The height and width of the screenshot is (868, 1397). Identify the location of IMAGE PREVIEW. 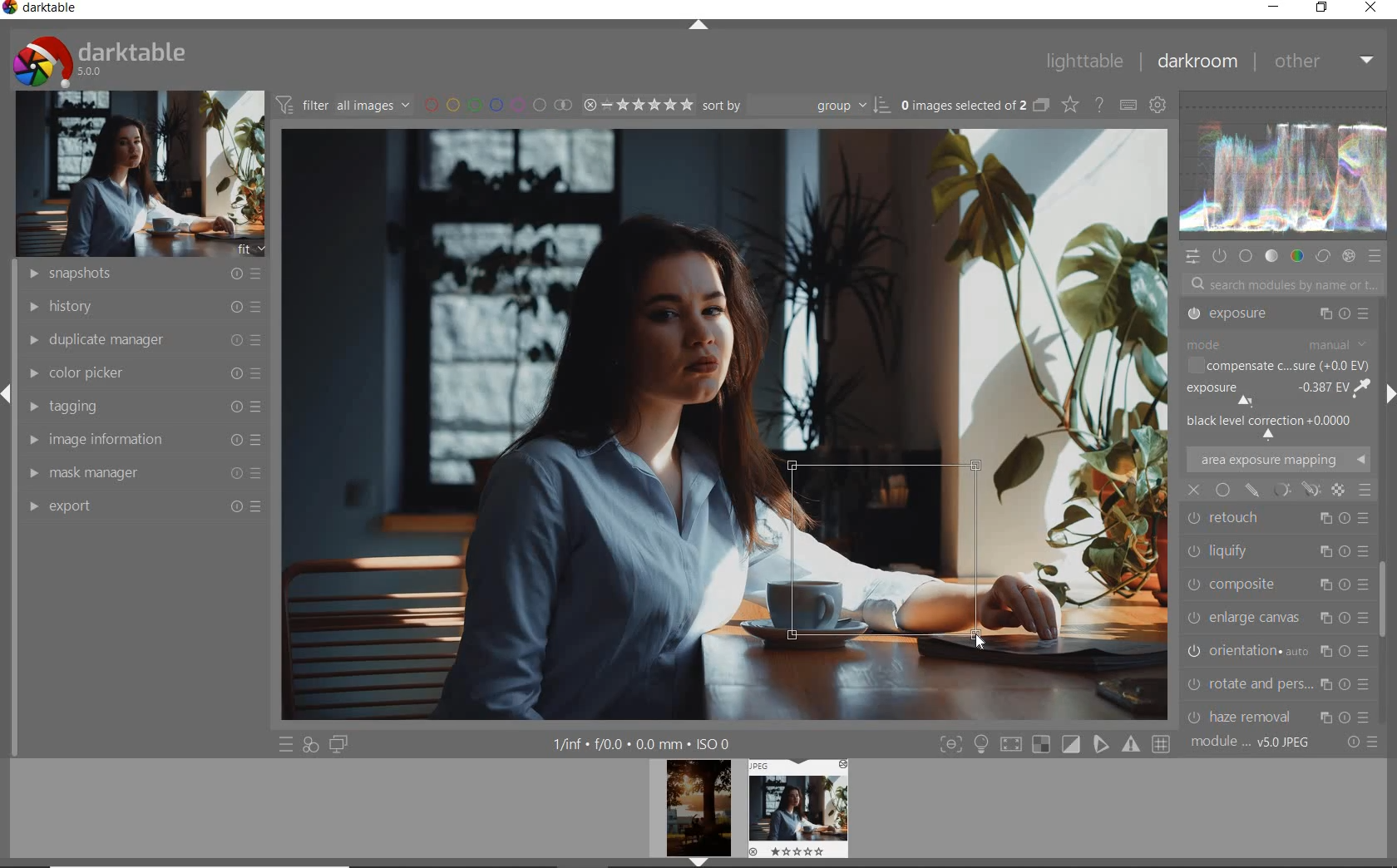
(698, 814).